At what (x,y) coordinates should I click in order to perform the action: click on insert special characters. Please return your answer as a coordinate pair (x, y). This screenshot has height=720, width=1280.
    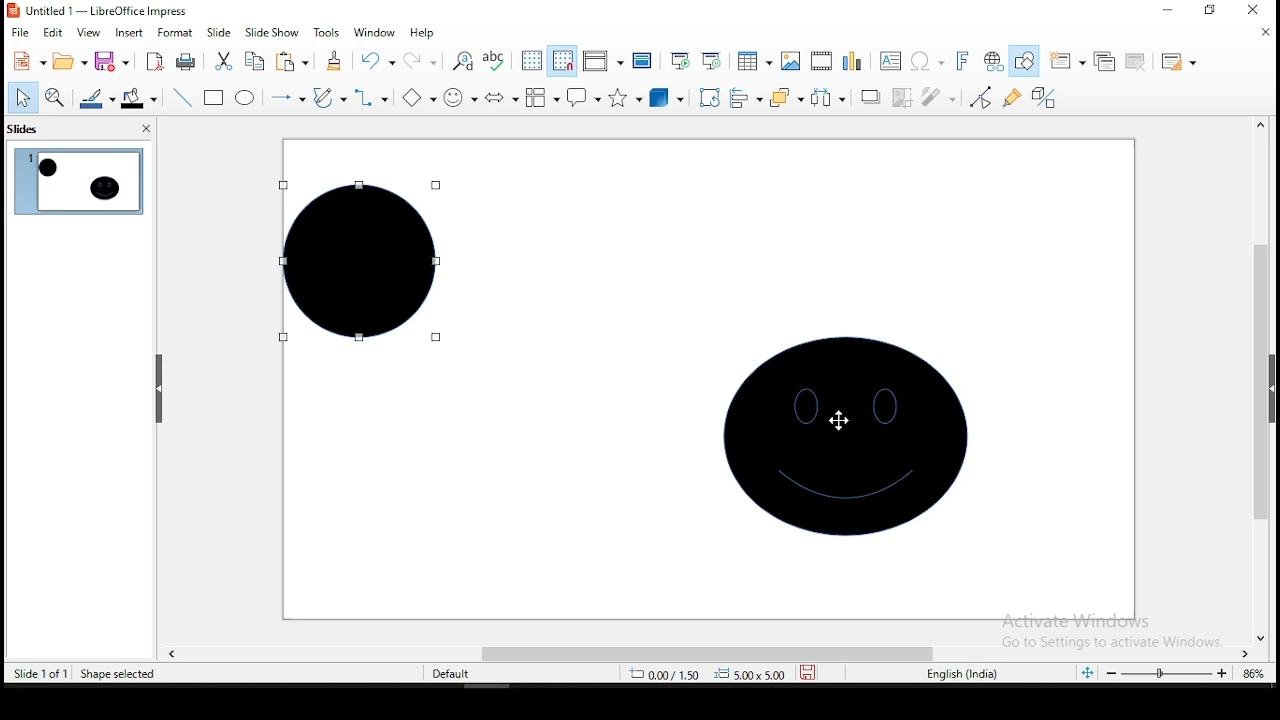
    Looking at the image, I should click on (928, 61).